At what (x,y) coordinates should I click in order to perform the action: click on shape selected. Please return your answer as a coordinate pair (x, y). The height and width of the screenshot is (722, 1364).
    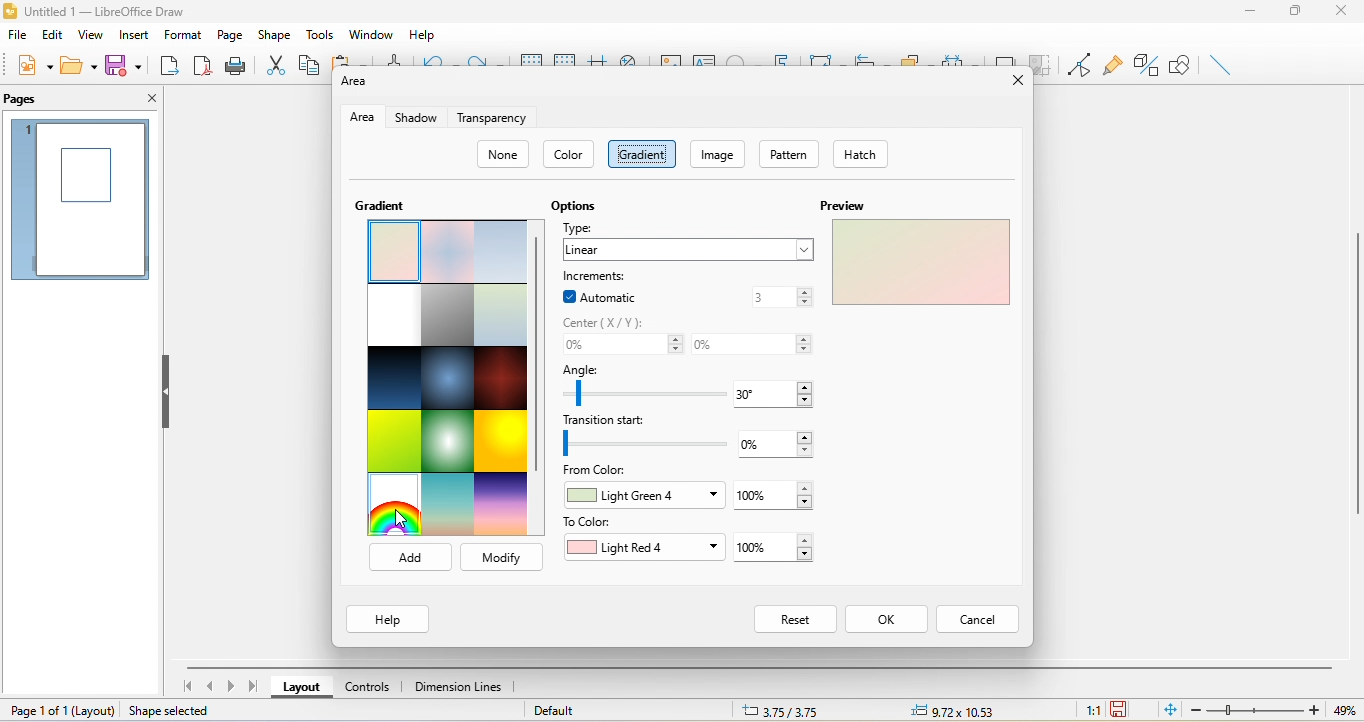
    Looking at the image, I should click on (173, 711).